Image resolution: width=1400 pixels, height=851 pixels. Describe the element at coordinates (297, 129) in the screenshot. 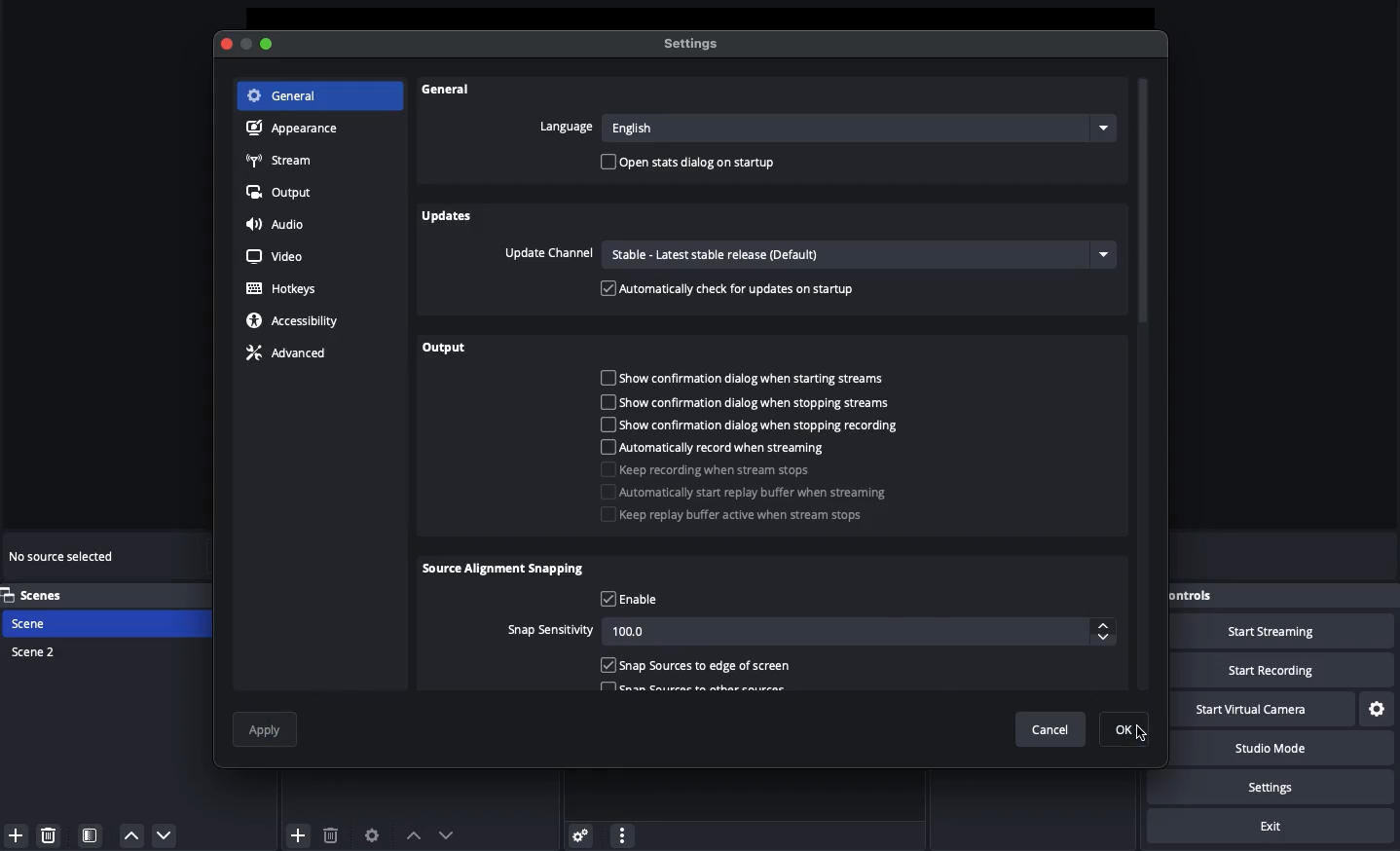

I see `Appearance ` at that location.